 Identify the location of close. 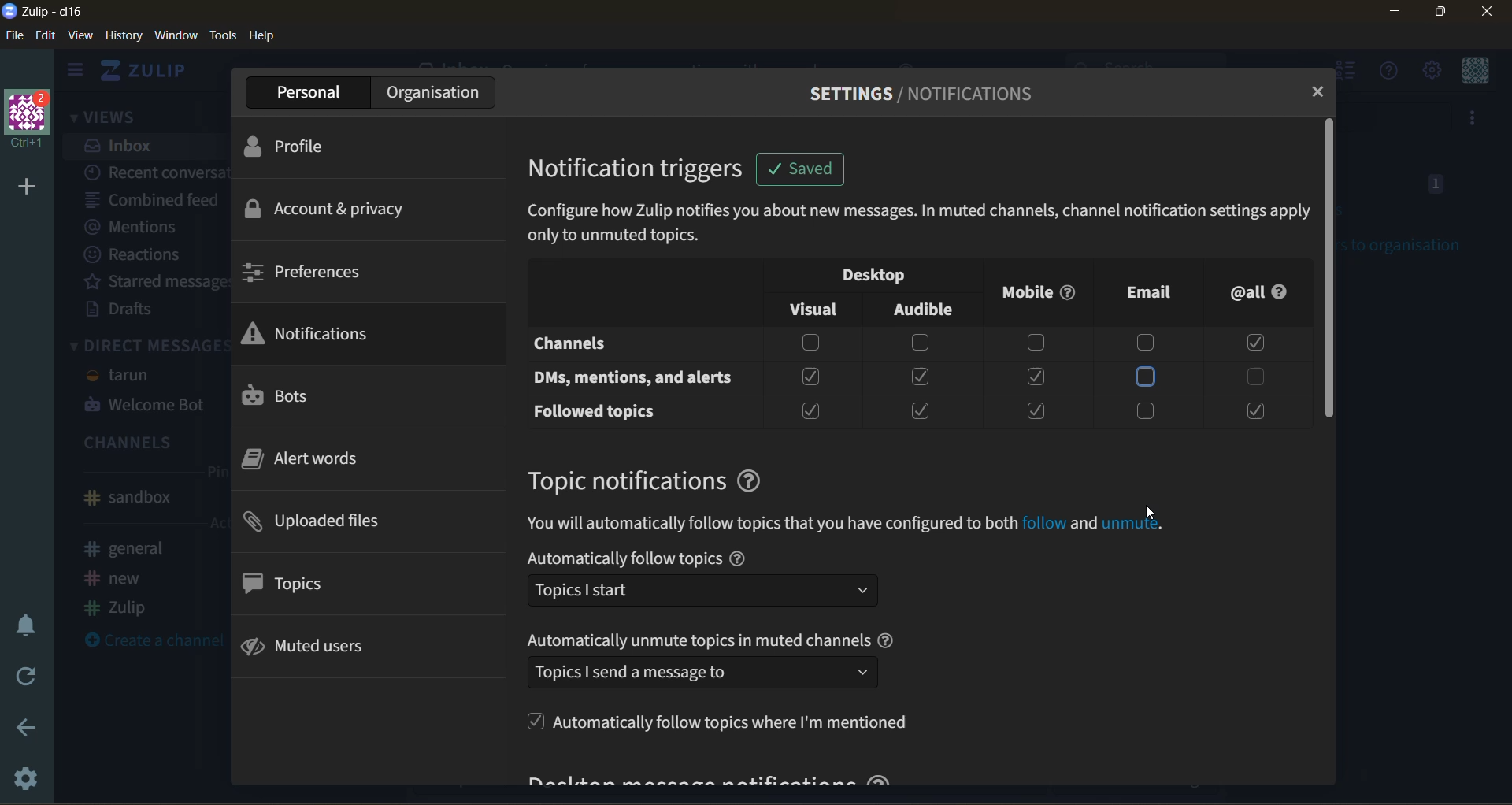
(1484, 13).